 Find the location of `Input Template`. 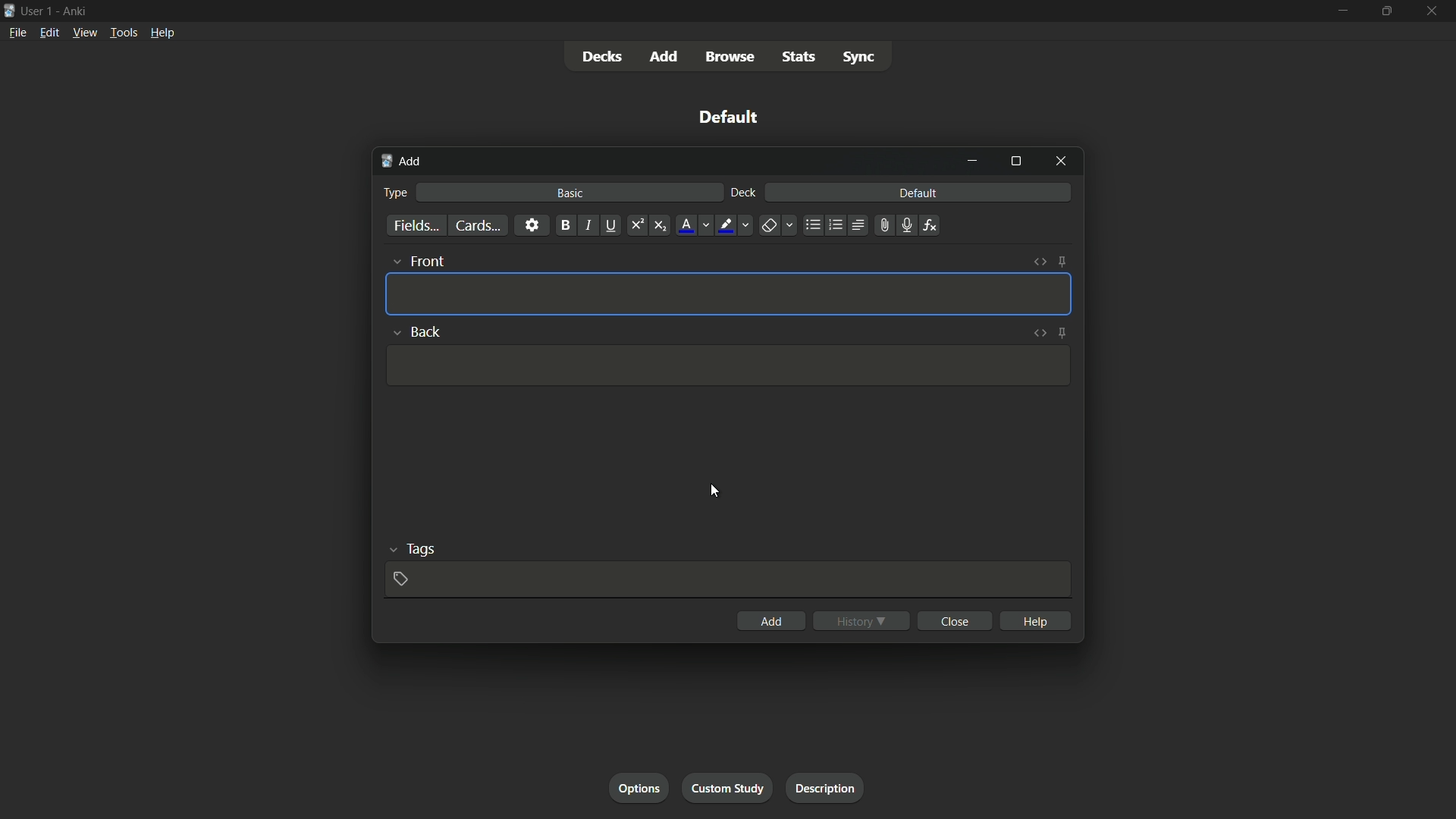

Input Template is located at coordinates (727, 293).